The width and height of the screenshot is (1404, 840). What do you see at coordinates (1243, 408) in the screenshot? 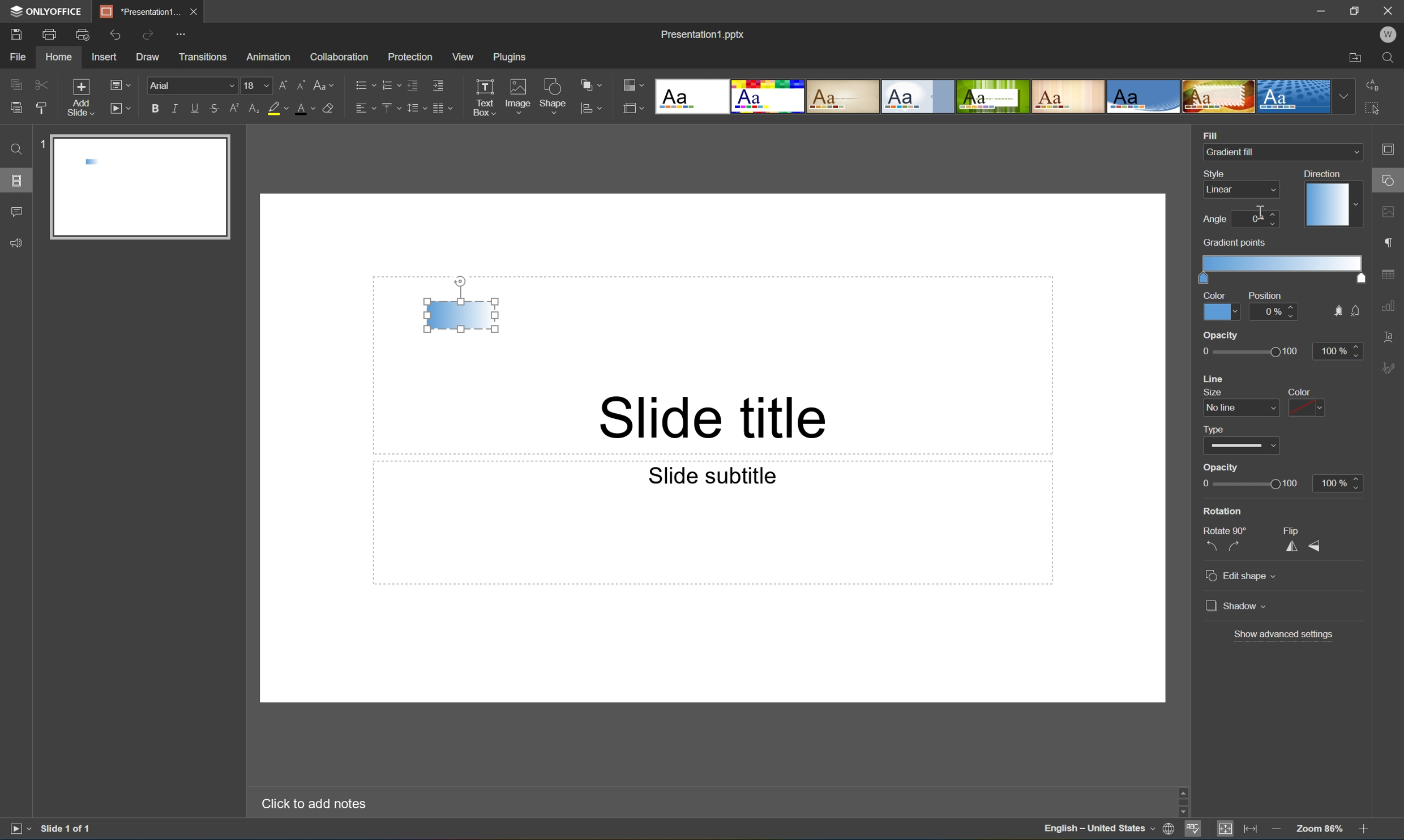
I see `line size dropdown` at bounding box center [1243, 408].